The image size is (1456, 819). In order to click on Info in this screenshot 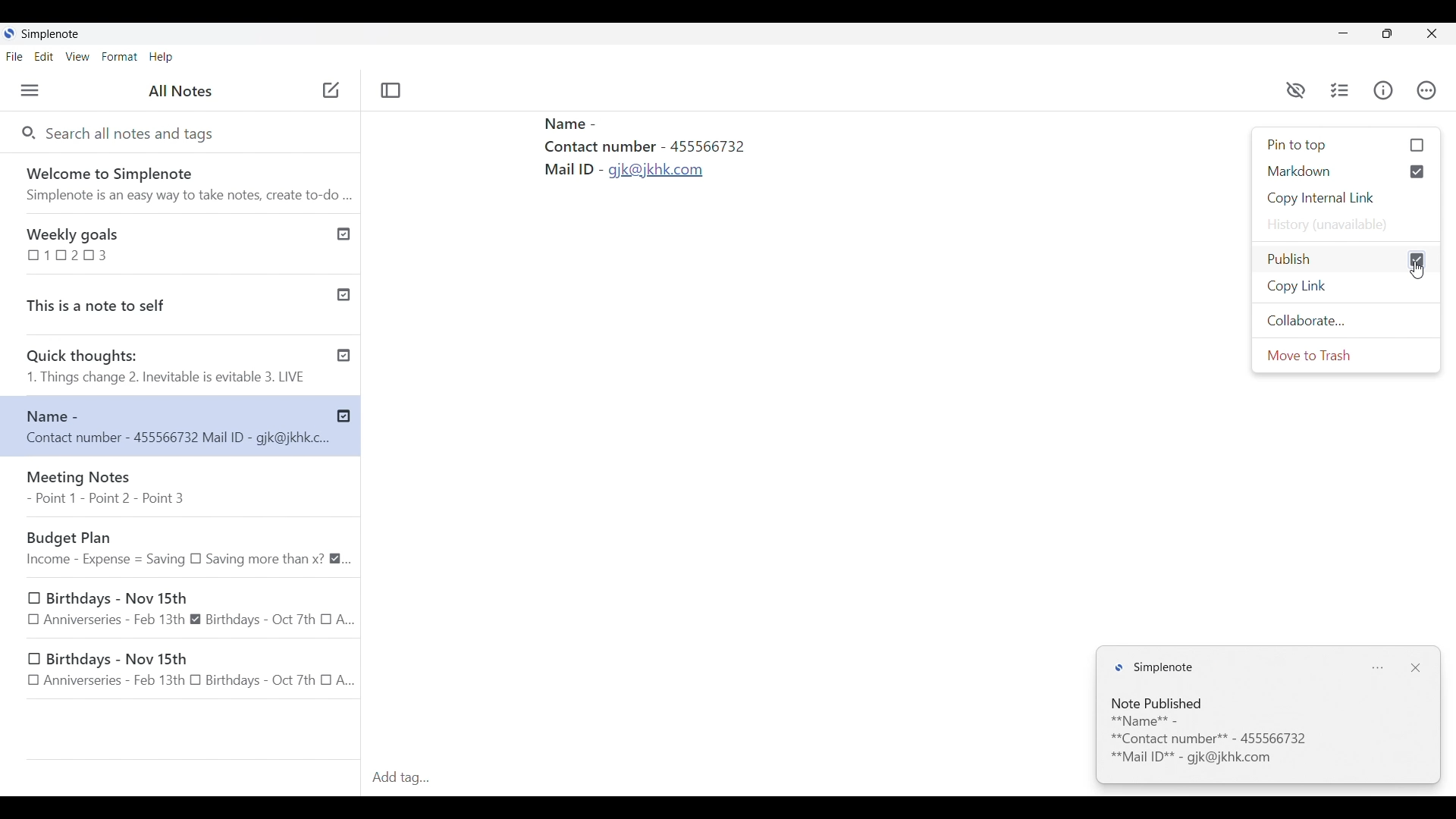, I will do `click(1383, 90)`.